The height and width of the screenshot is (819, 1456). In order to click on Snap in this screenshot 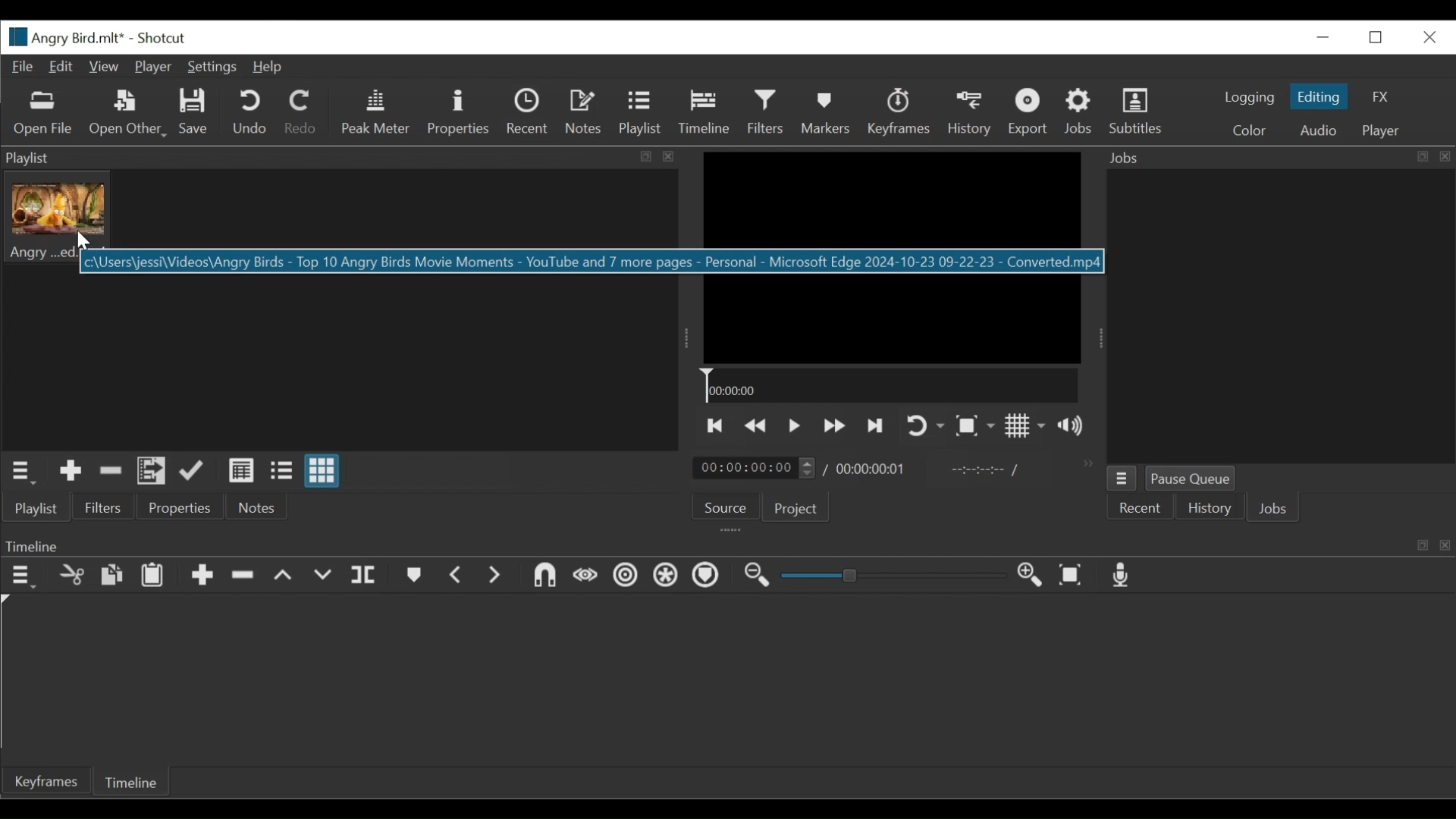, I will do `click(664, 576)`.